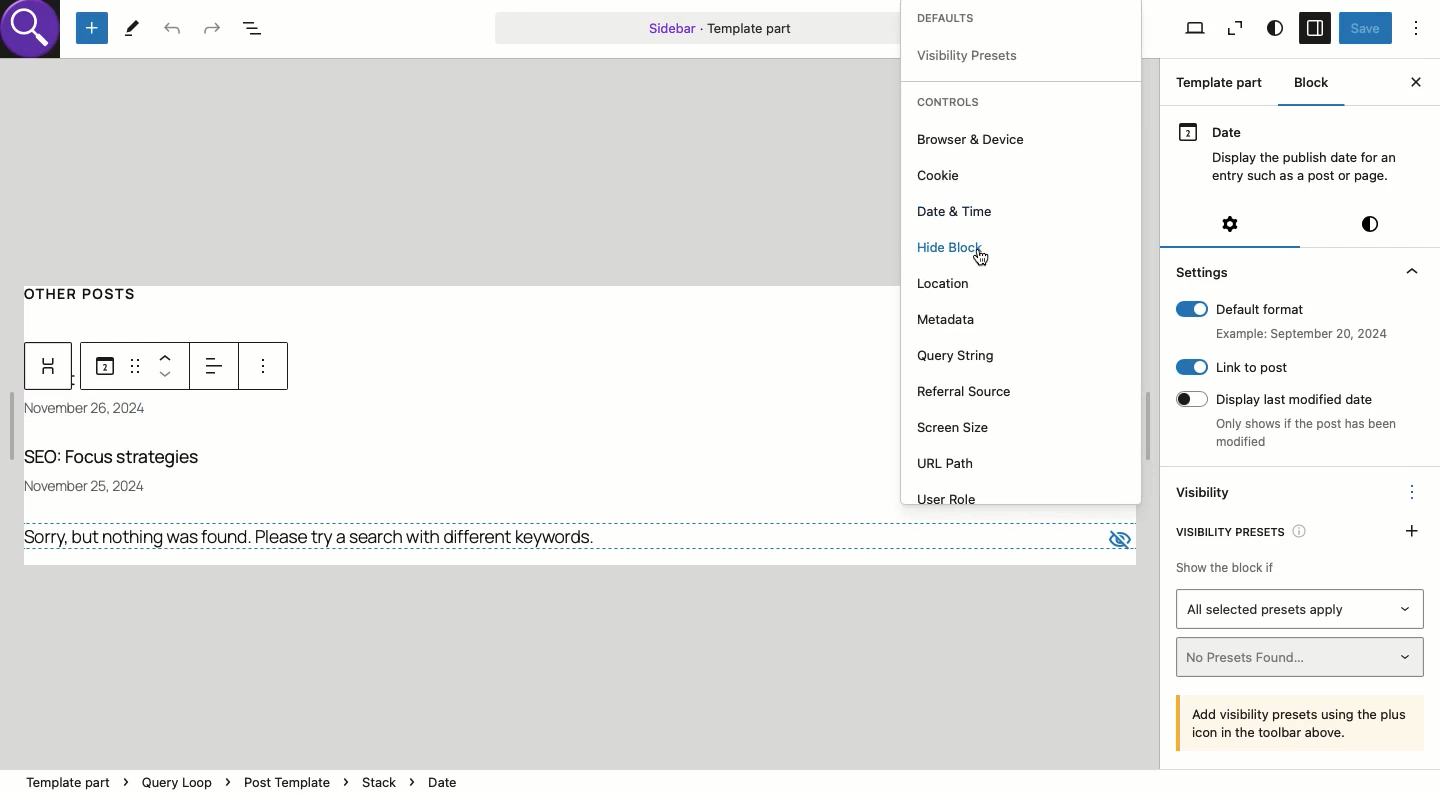  I want to click on Template part, so click(697, 27).